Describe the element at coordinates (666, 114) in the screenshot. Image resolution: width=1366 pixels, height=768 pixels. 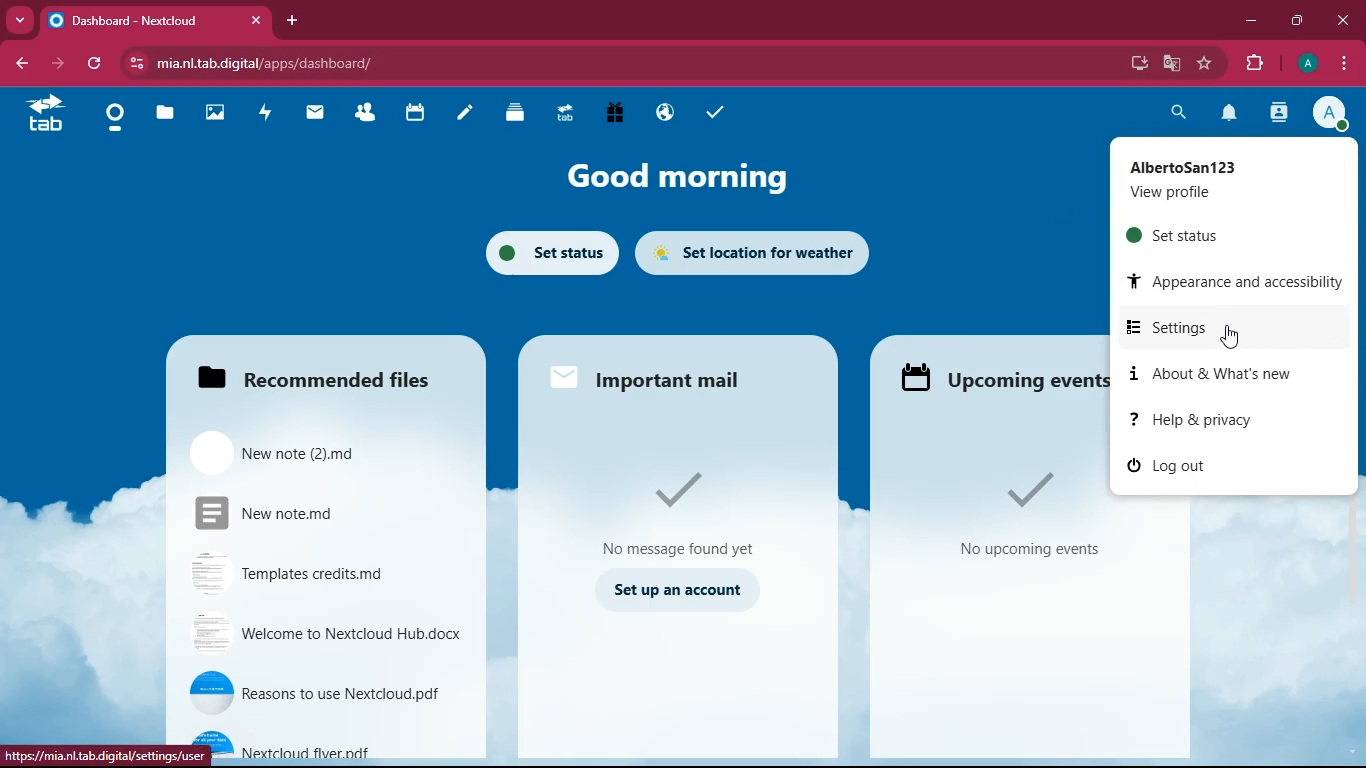
I see `Email Hosting` at that location.